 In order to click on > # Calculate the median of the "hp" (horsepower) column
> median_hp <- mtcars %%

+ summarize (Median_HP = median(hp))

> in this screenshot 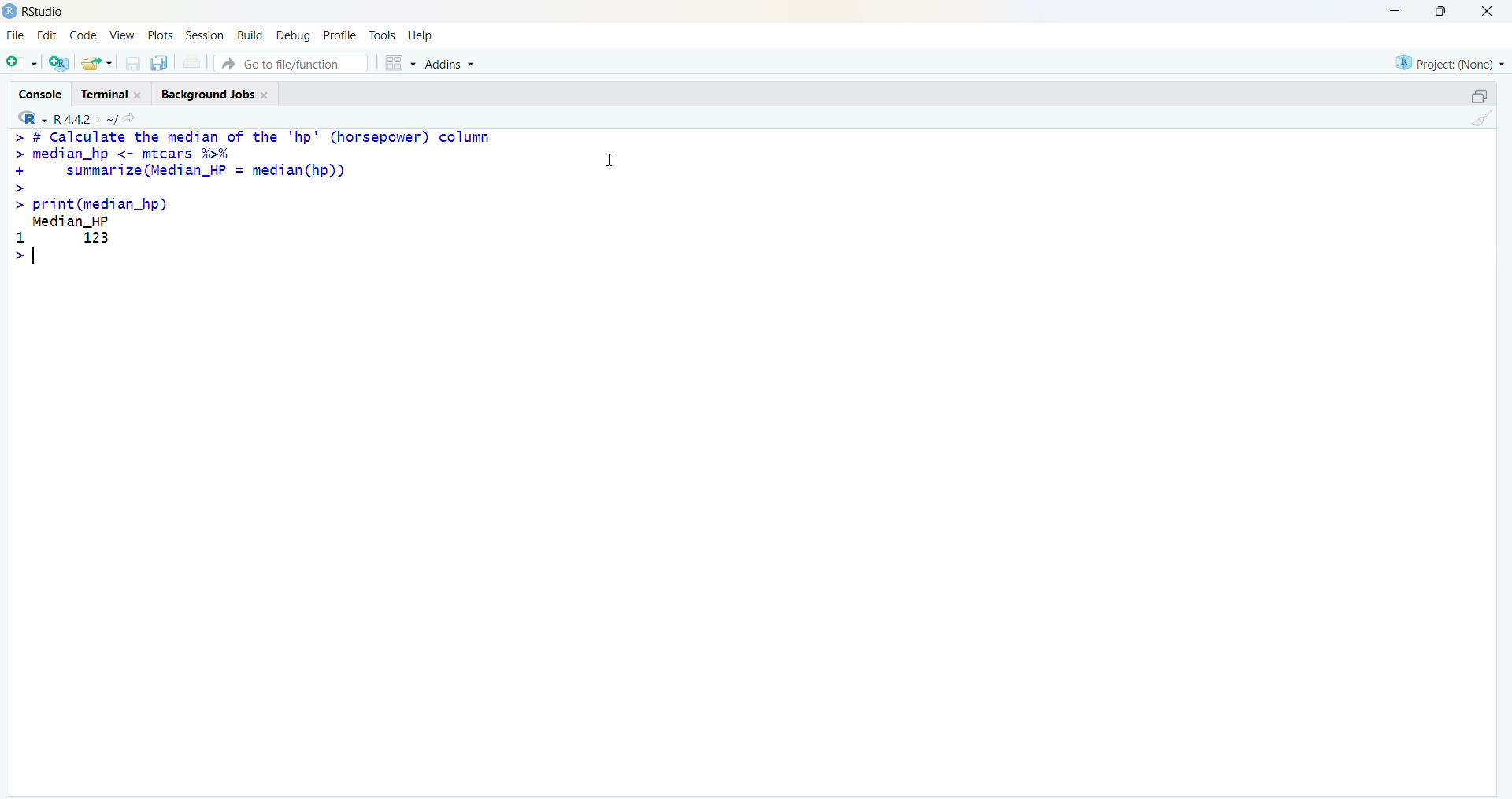, I will do `click(254, 162)`.